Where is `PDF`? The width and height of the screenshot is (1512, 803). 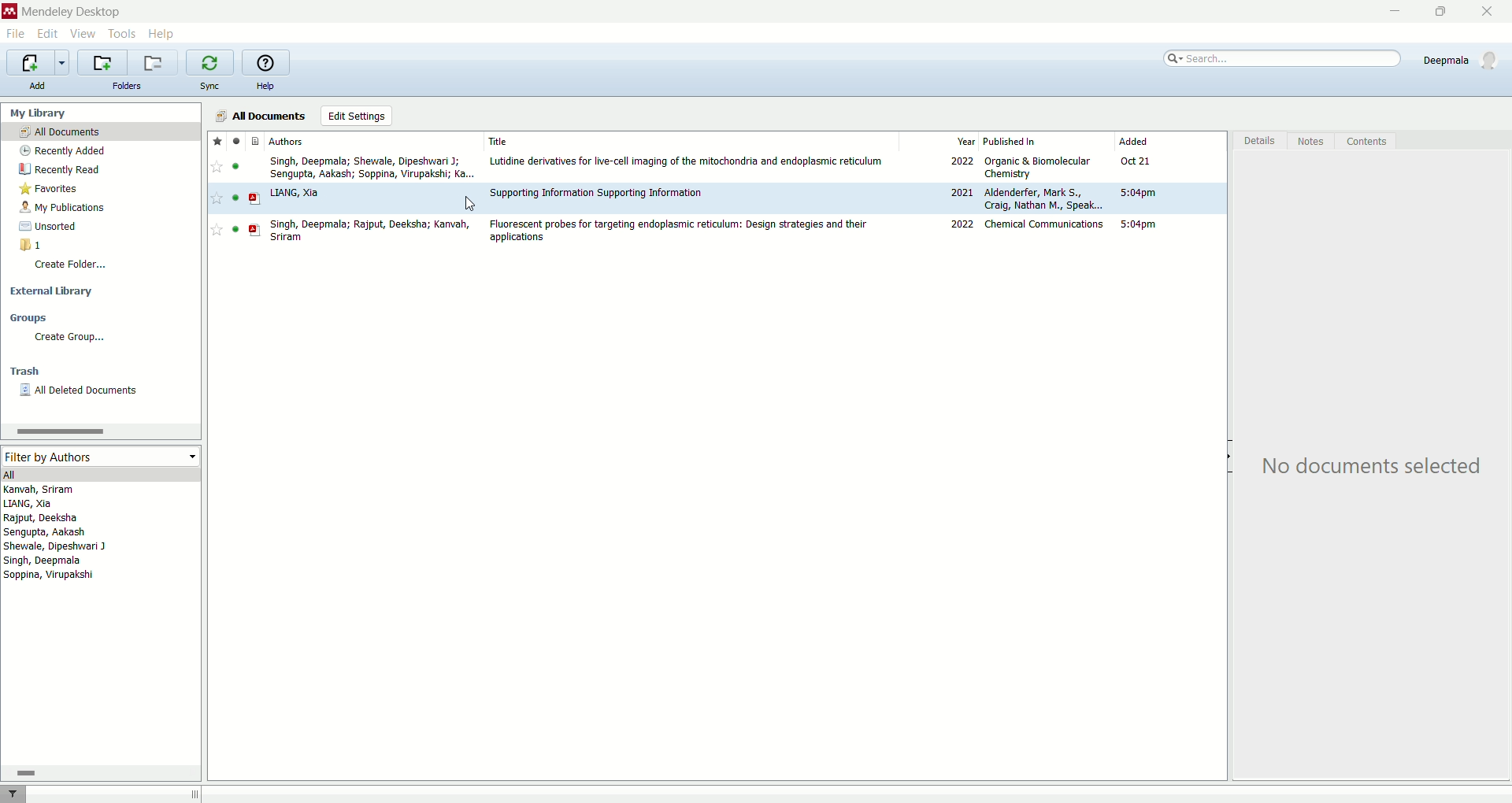
PDF is located at coordinates (255, 230).